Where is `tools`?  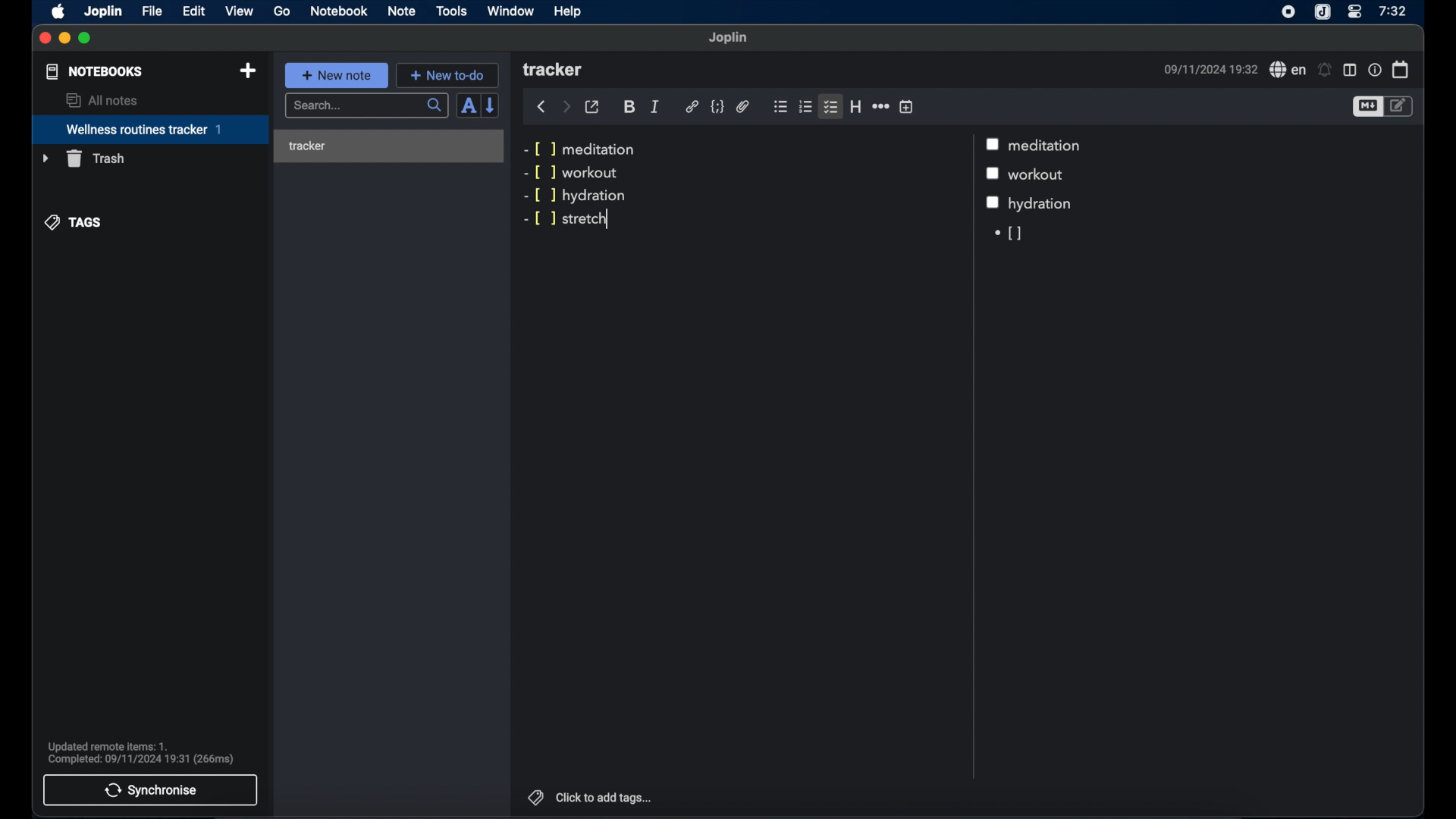 tools is located at coordinates (452, 11).